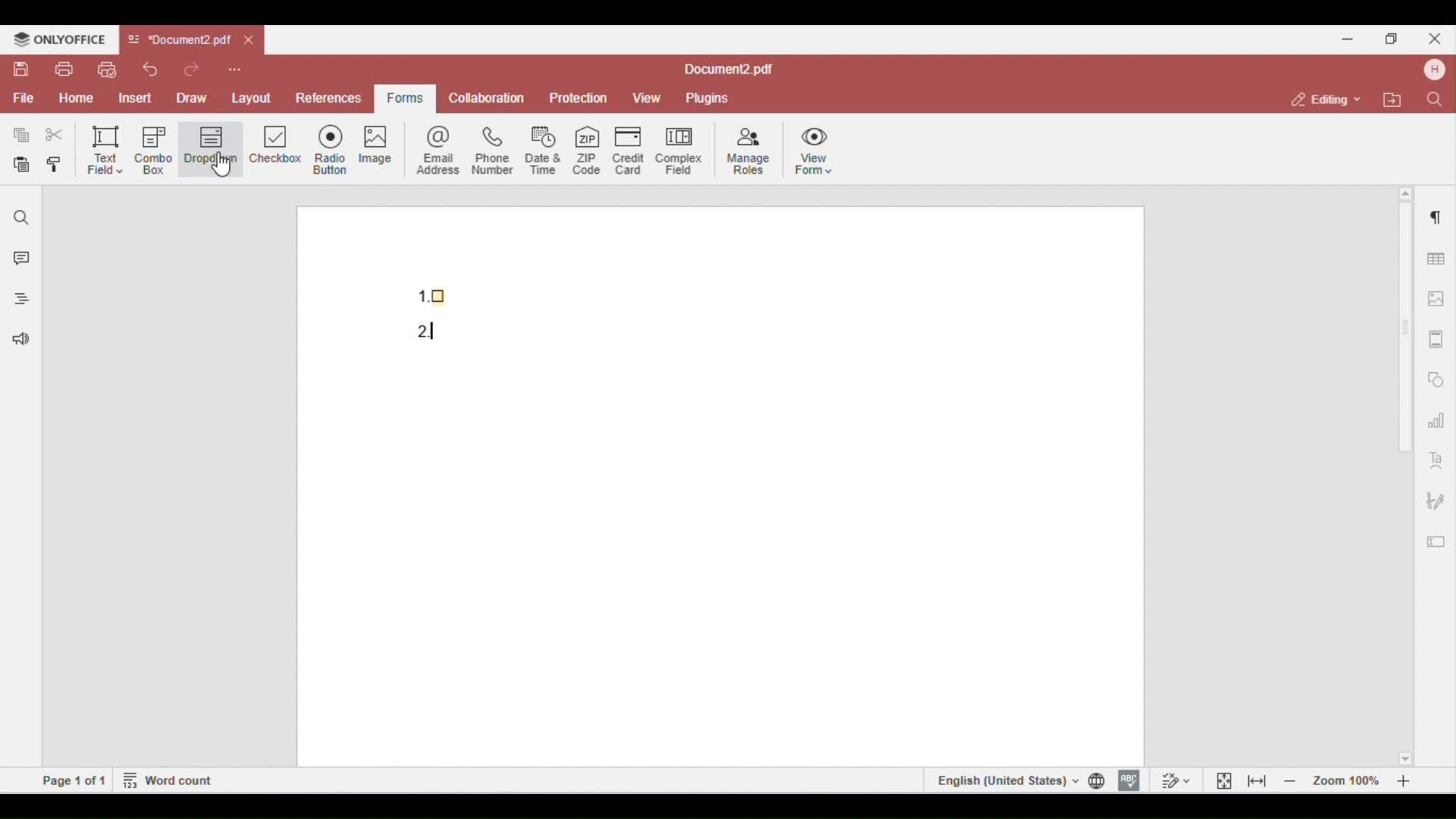 The image size is (1456, 819). I want to click on paste, so click(23, 165).